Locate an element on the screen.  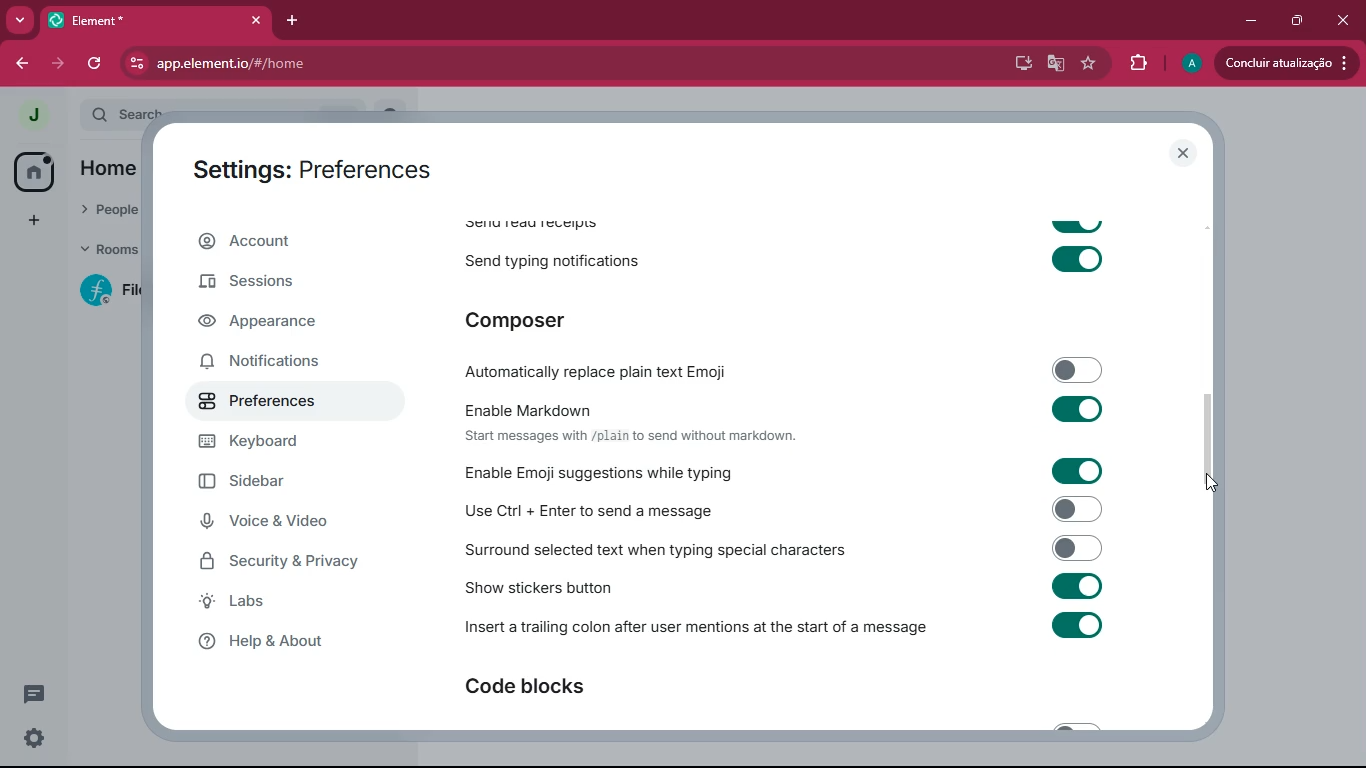
profile is located at coordinates (1193, 63).